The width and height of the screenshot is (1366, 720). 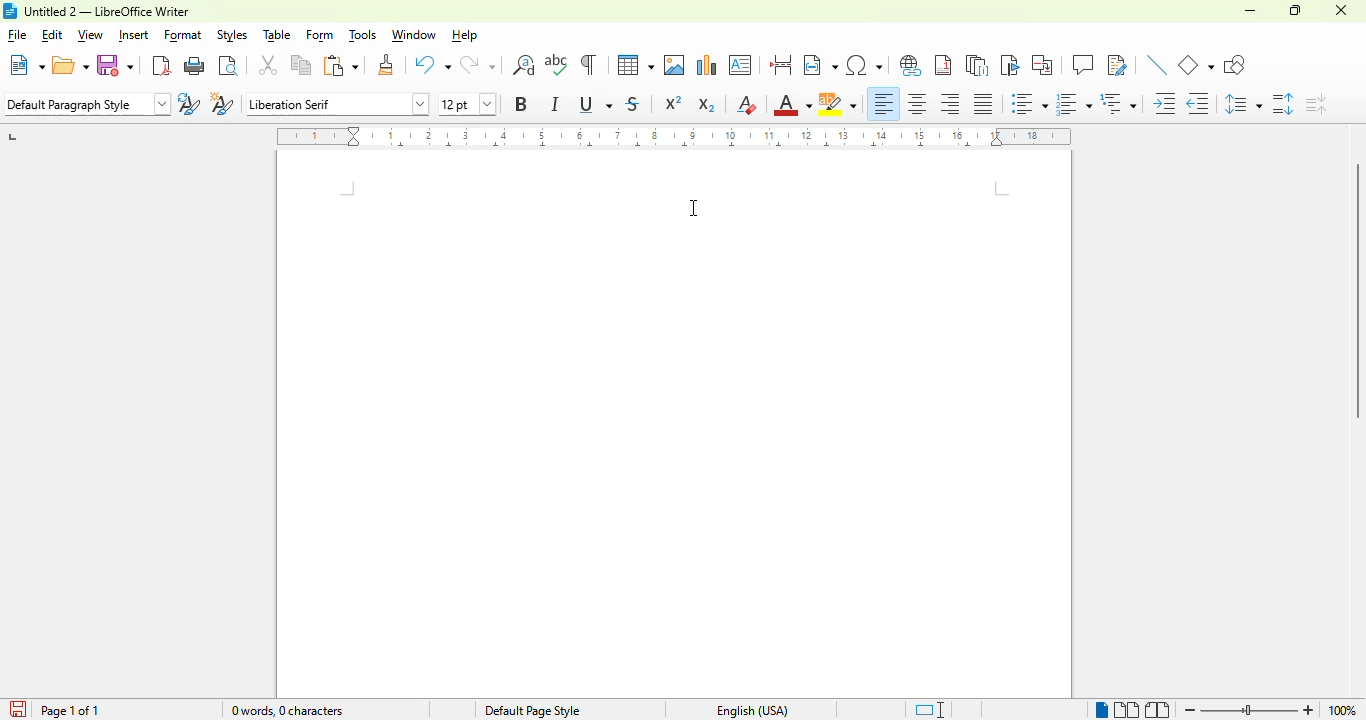 What do you see at coordinates (943, 65) in the screenshot?
I see `insert footnote` at bounding box center [943, 65].